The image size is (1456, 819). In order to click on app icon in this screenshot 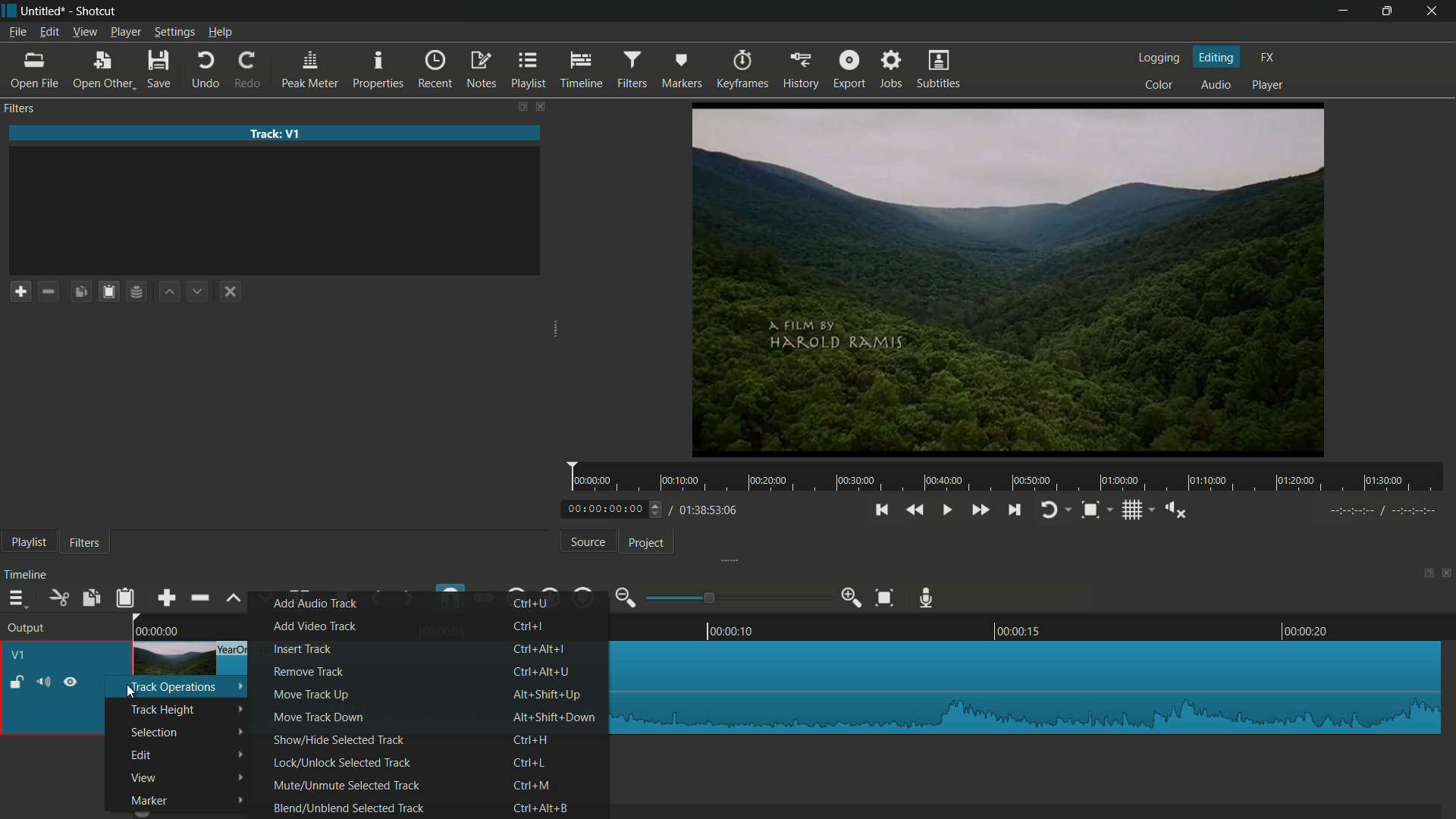, I will do `click(9, 10)`.